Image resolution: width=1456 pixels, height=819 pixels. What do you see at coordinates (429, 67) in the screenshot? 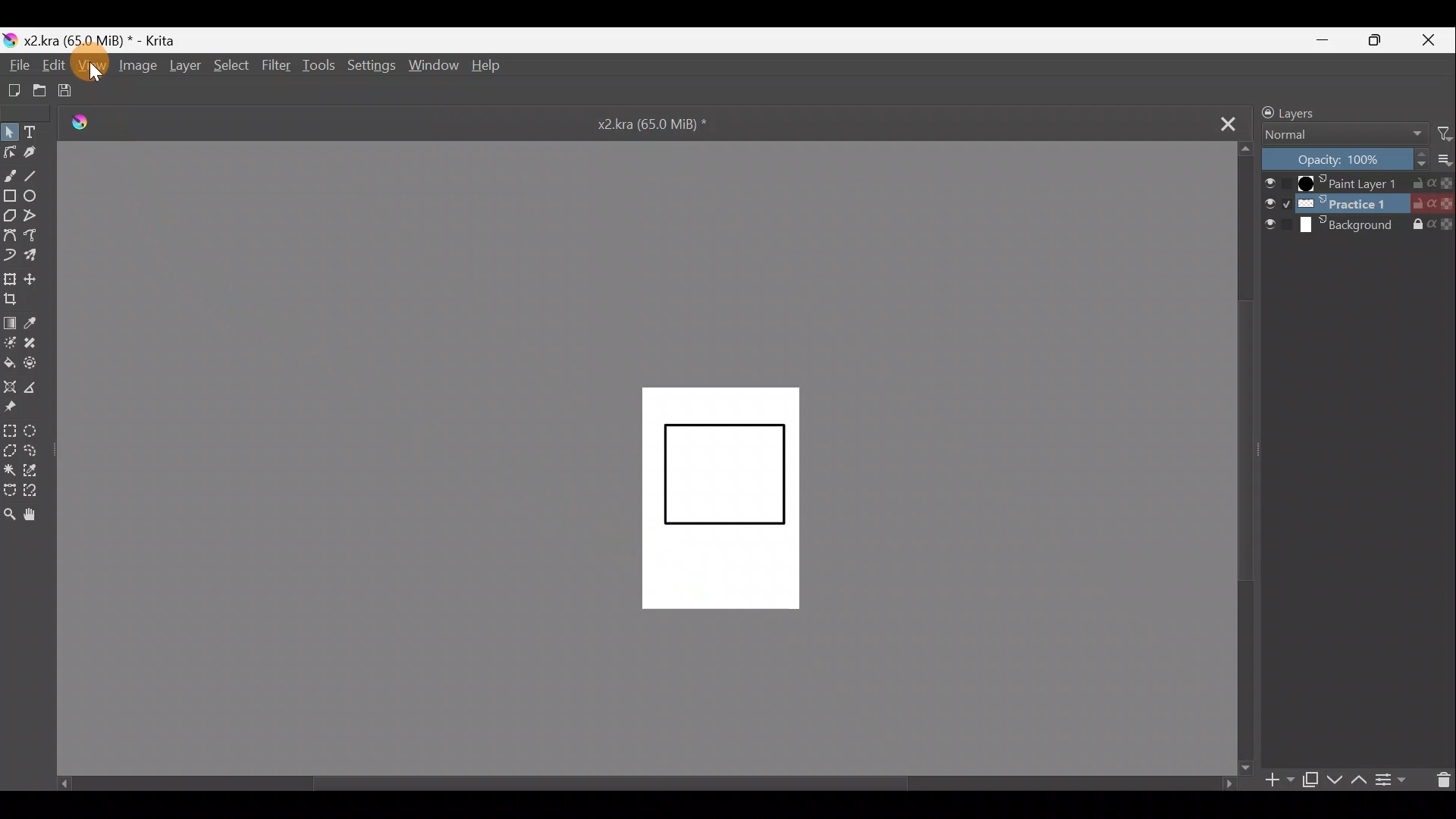
I see `Window` at bounding box center [429, 67].